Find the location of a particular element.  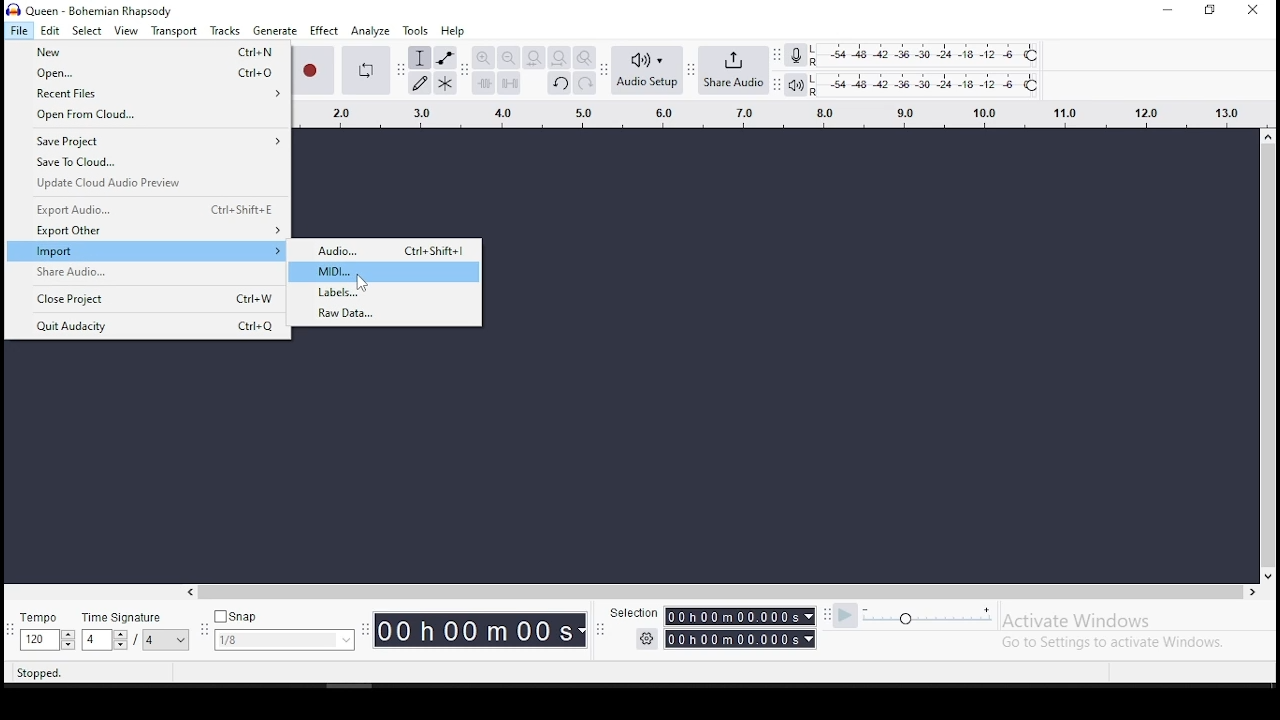

playback speed is located at coordinates (928, 618).